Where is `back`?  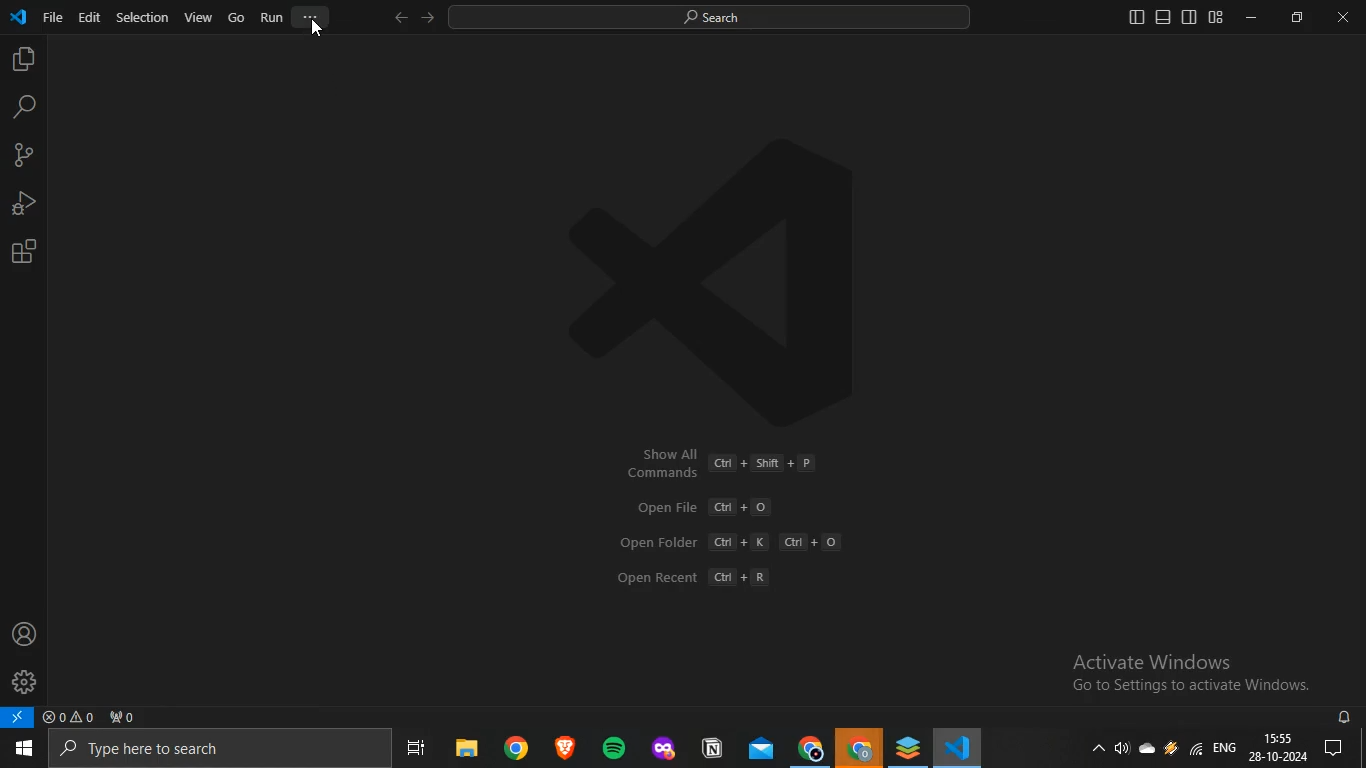
back is located at coordinates (399, 18).